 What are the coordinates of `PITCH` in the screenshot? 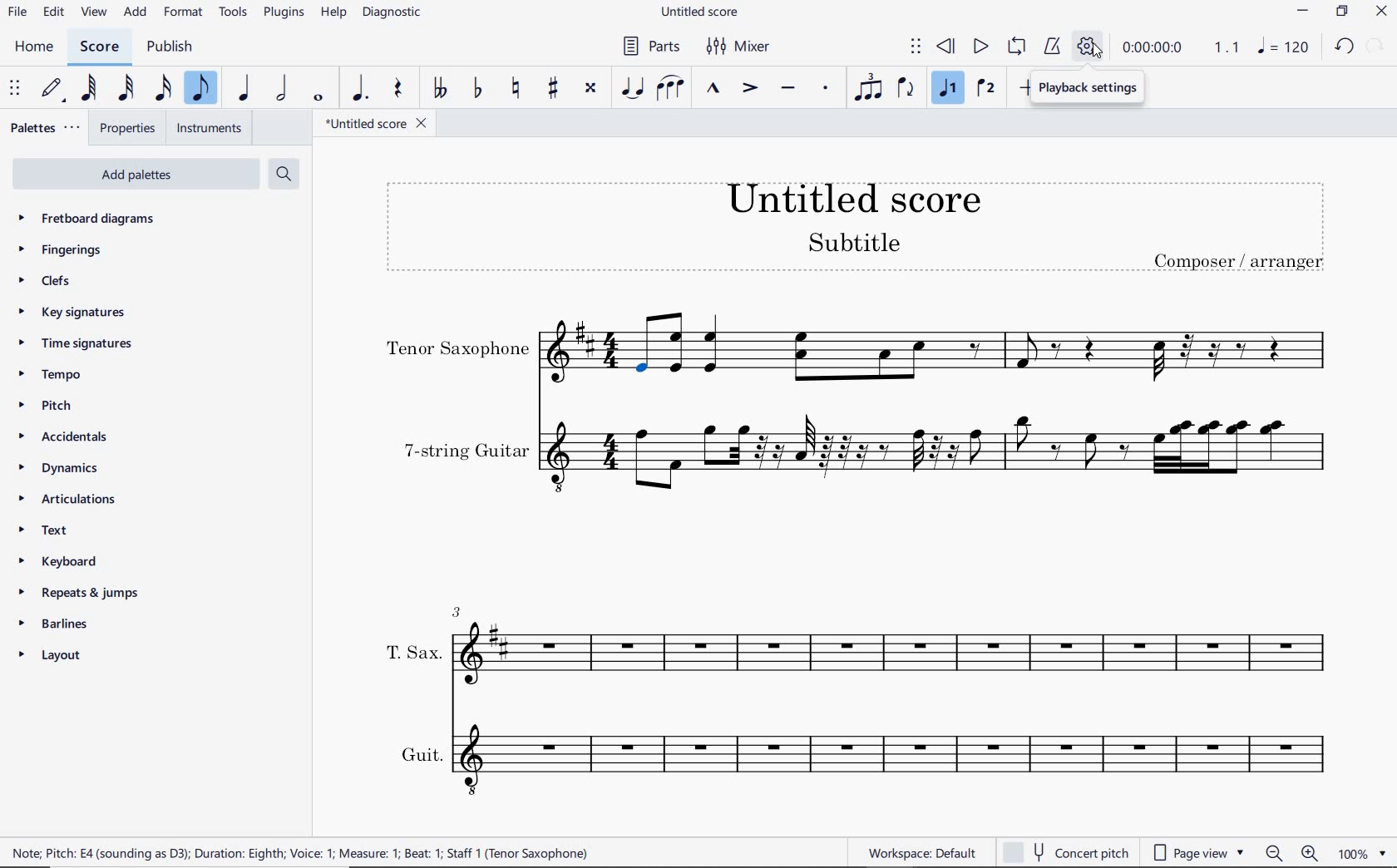 It's located at (43, 406).